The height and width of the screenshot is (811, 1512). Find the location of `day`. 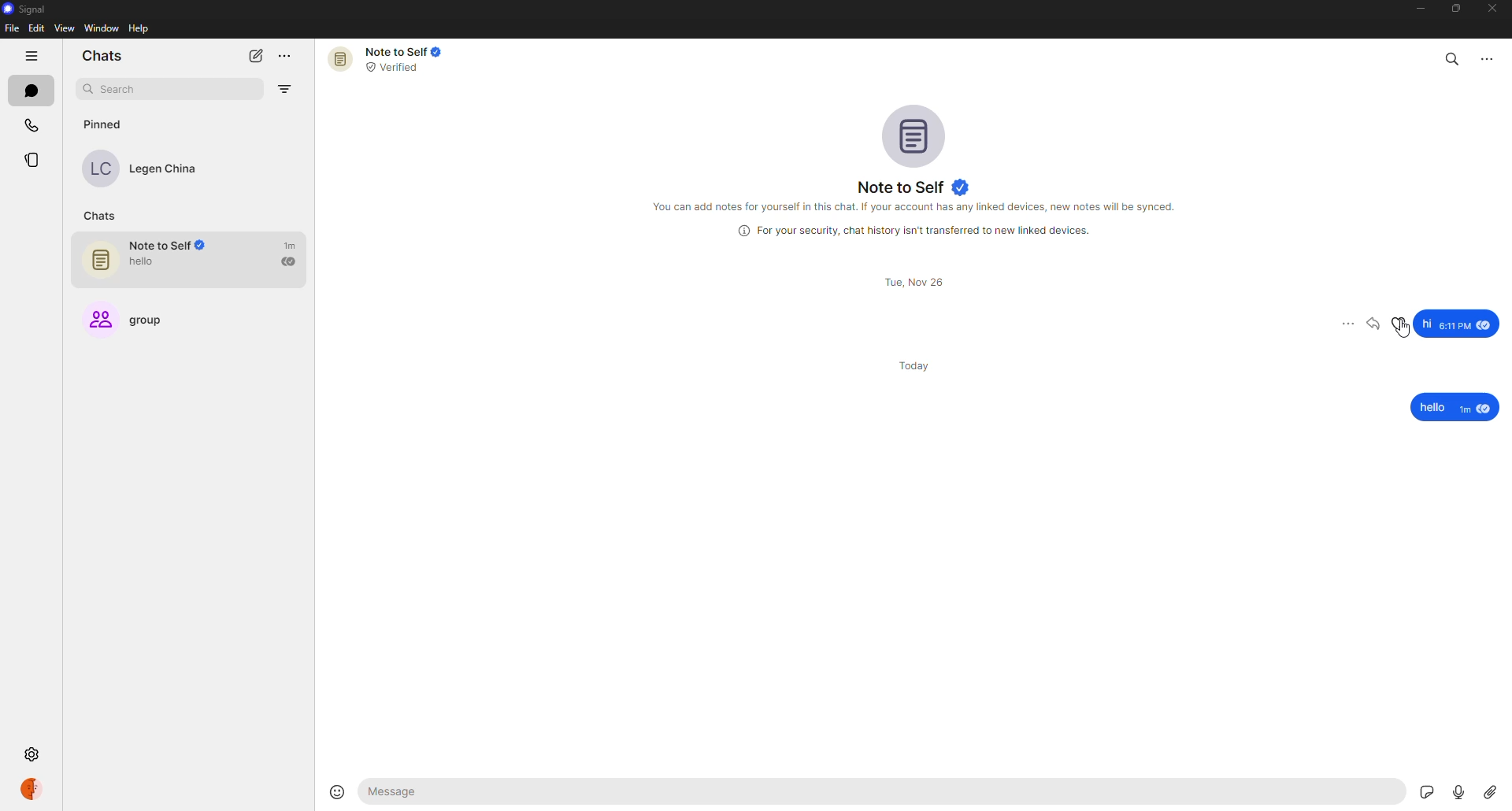

day is located at coordinates (917, 282).